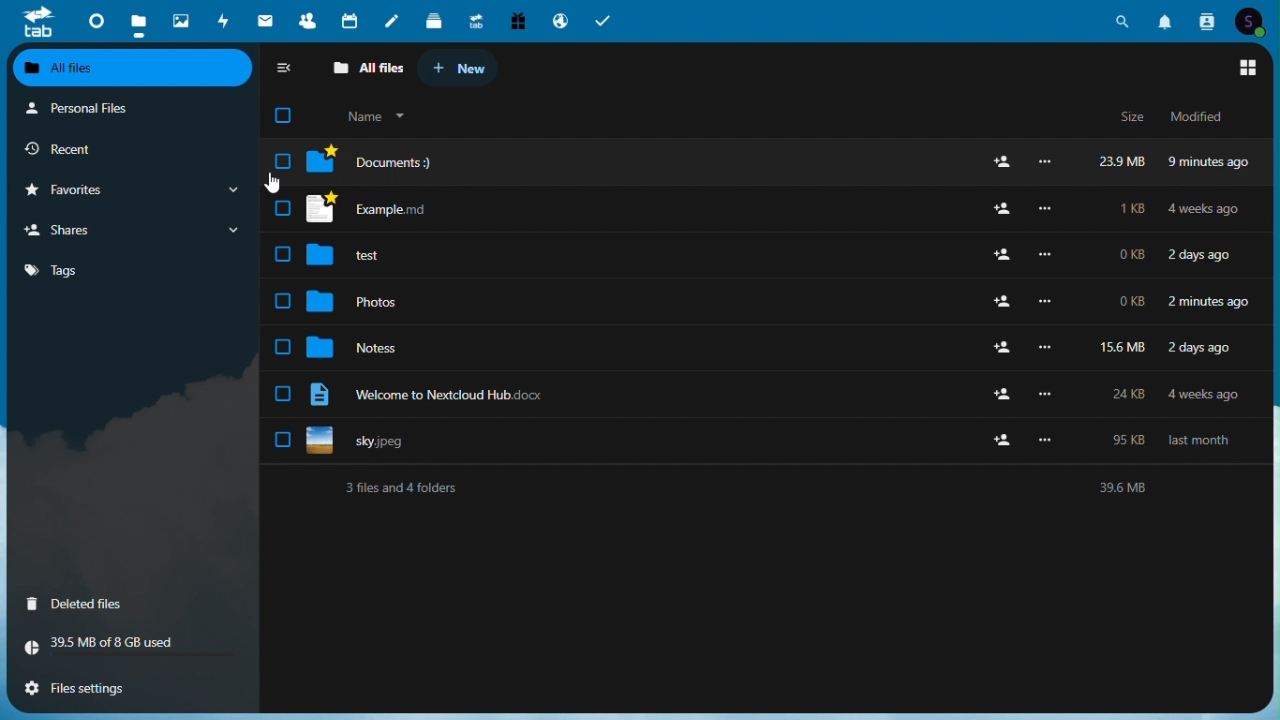 This screenshot has height=720, width=1280. I want to click on account icon, so click(1255, 20).